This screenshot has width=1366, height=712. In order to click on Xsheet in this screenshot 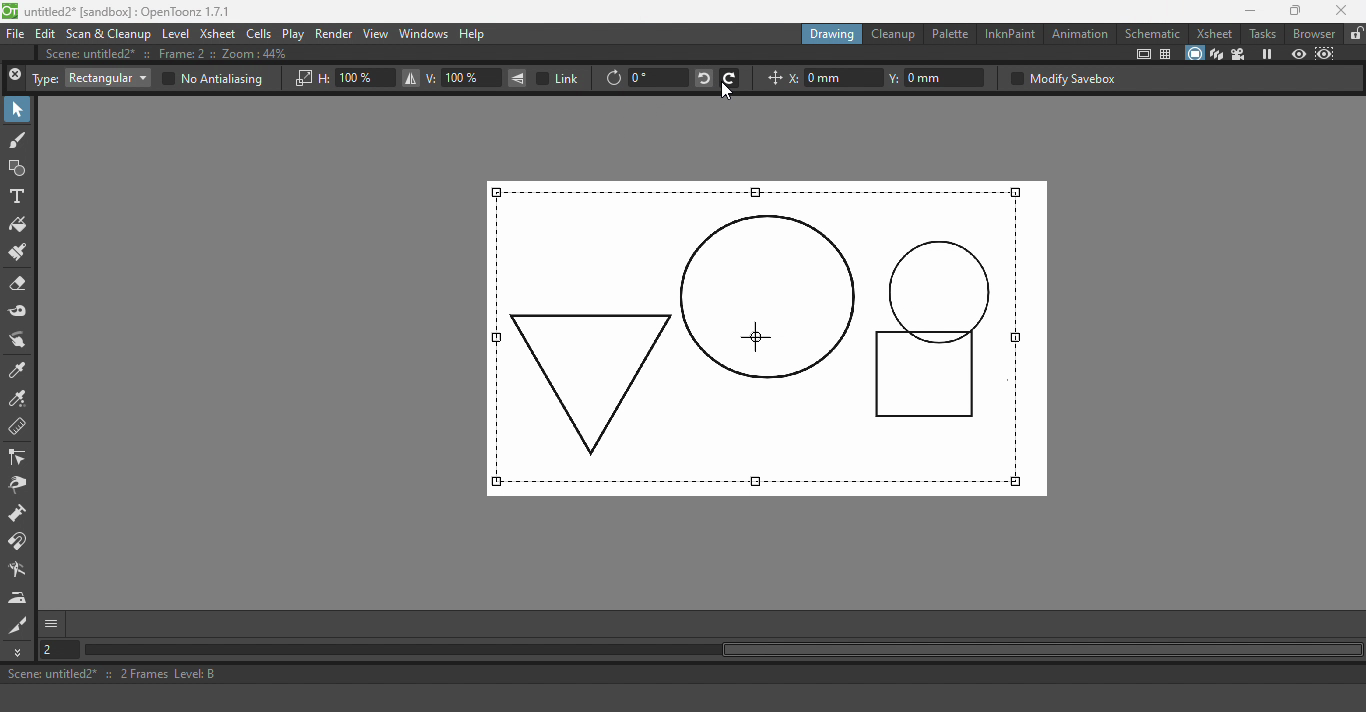, I will do `click(218, 34)`.